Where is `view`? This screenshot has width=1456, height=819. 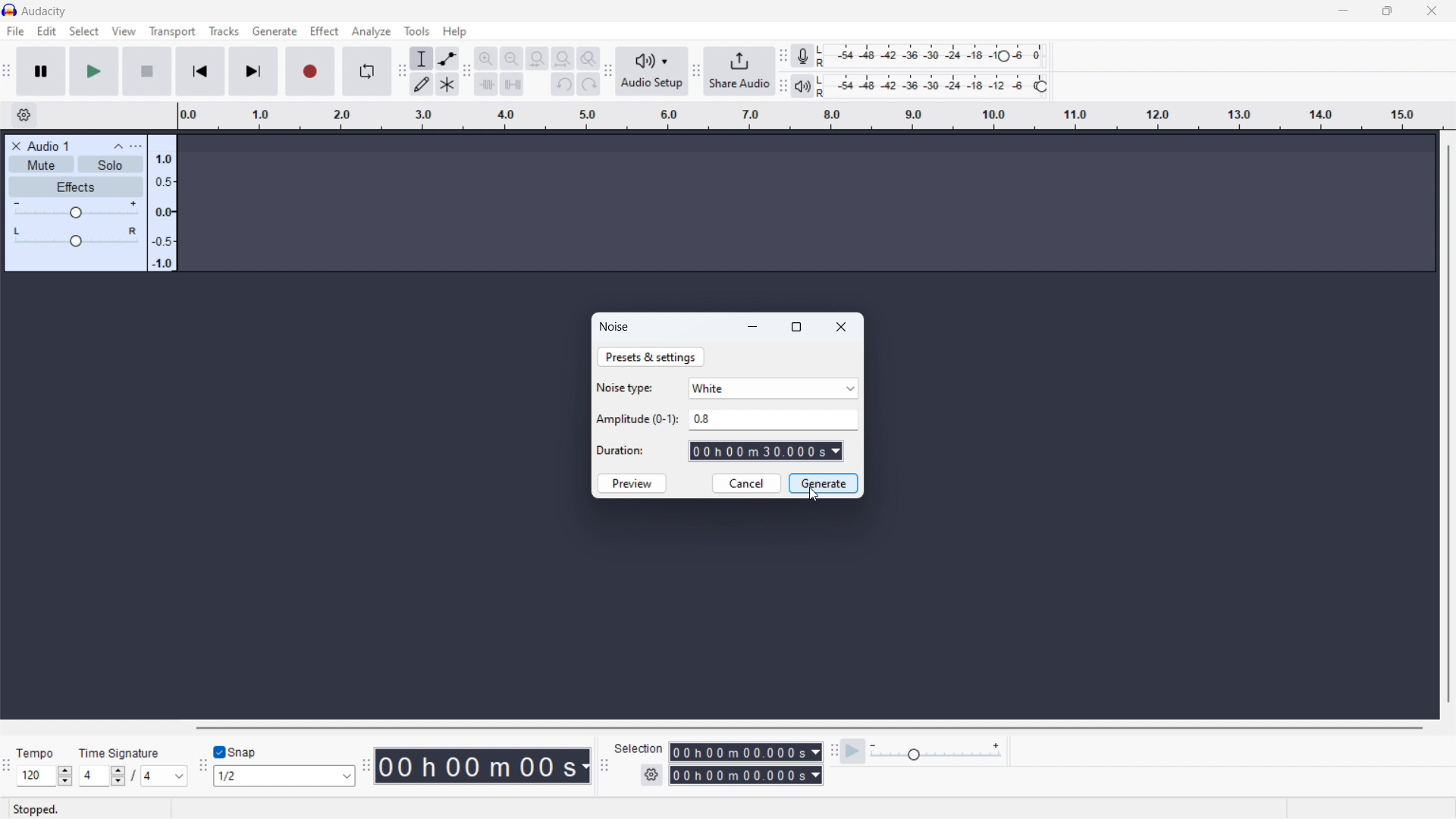 view is located at coordinates (123, 31).